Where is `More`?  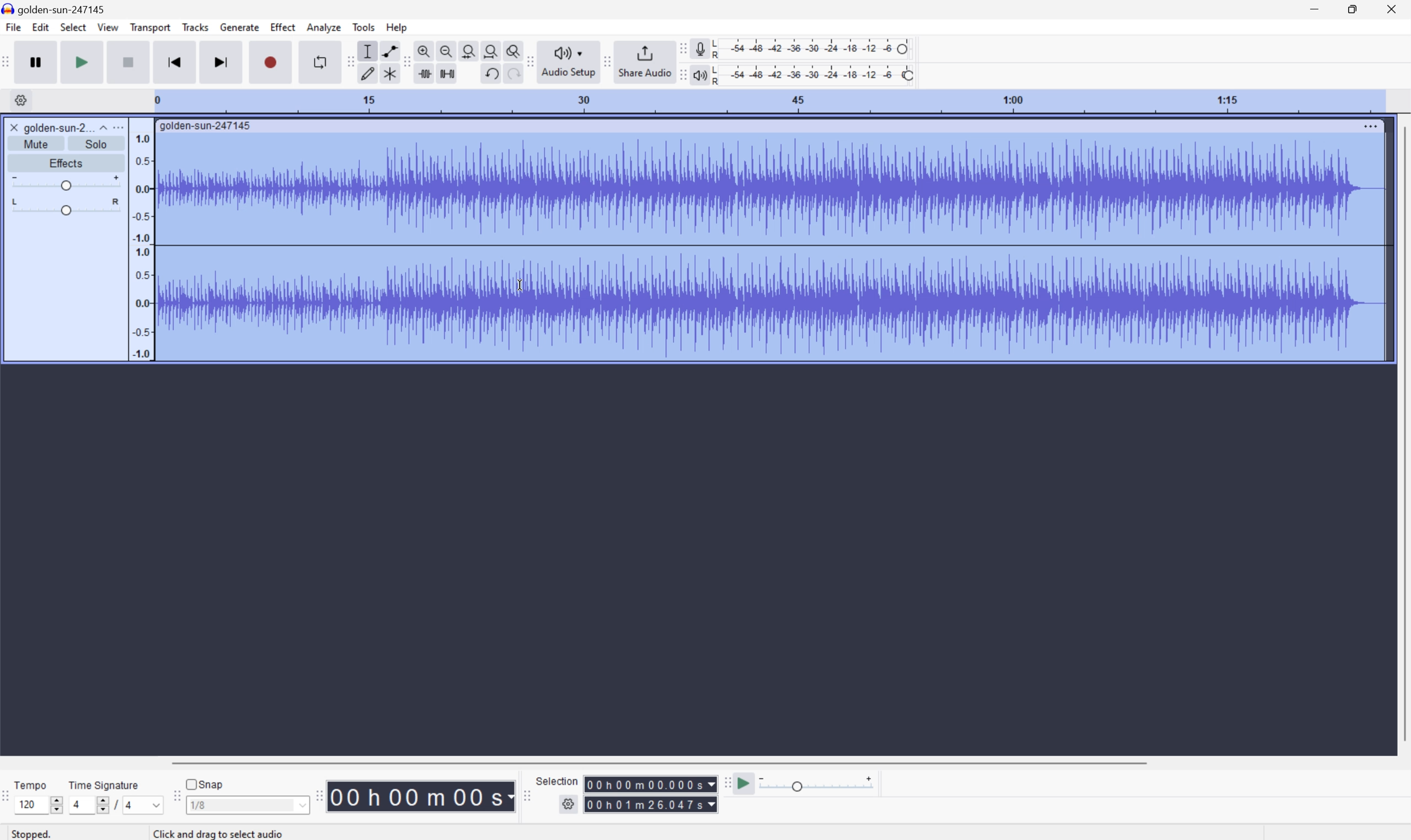
More is located at coordinates (117, 127).